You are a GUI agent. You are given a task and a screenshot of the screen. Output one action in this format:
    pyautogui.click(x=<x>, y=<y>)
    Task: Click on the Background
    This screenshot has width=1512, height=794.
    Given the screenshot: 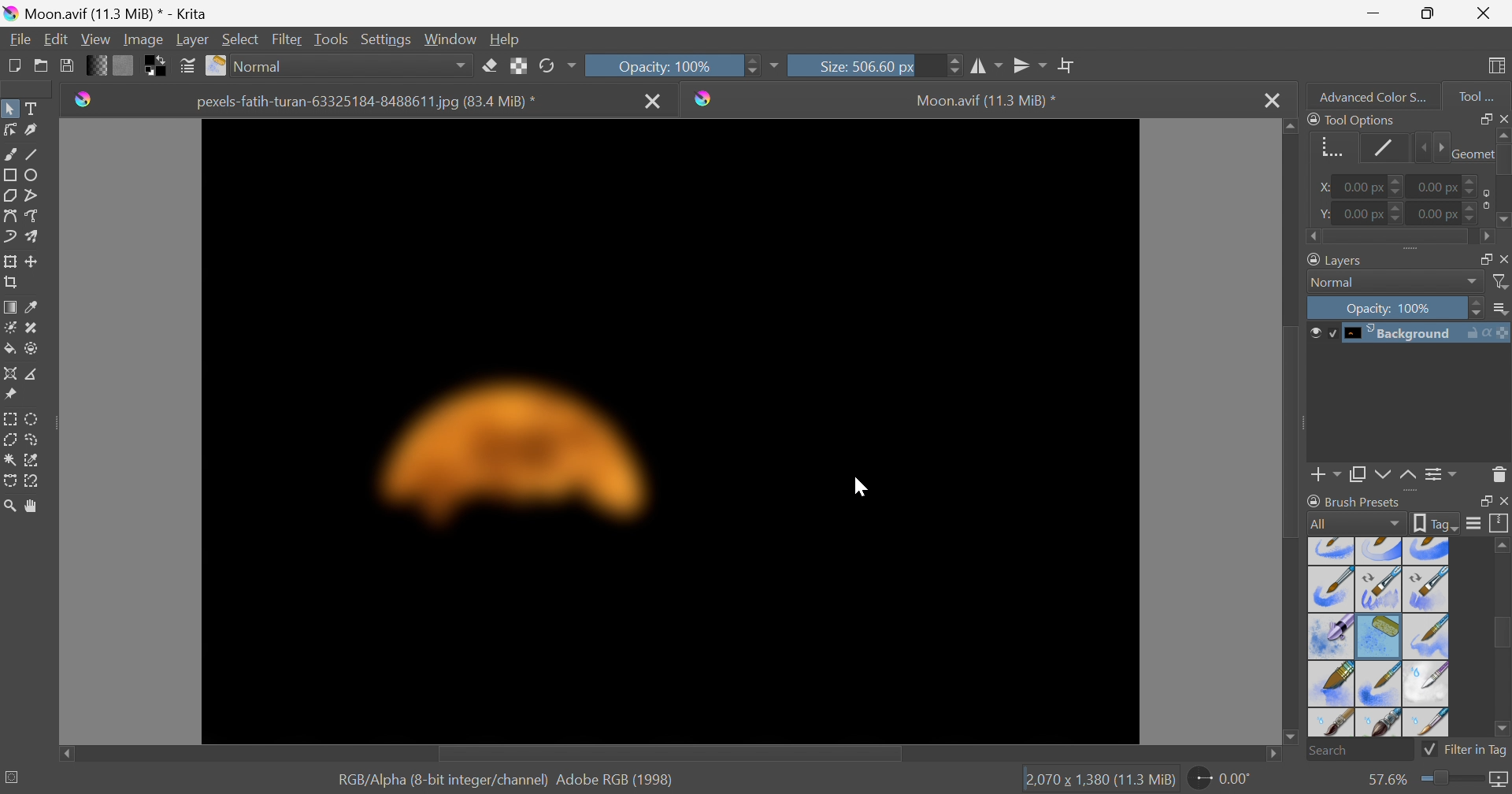 What is the action you would take?
    pyautogui.click(x=1408, y=334)
    